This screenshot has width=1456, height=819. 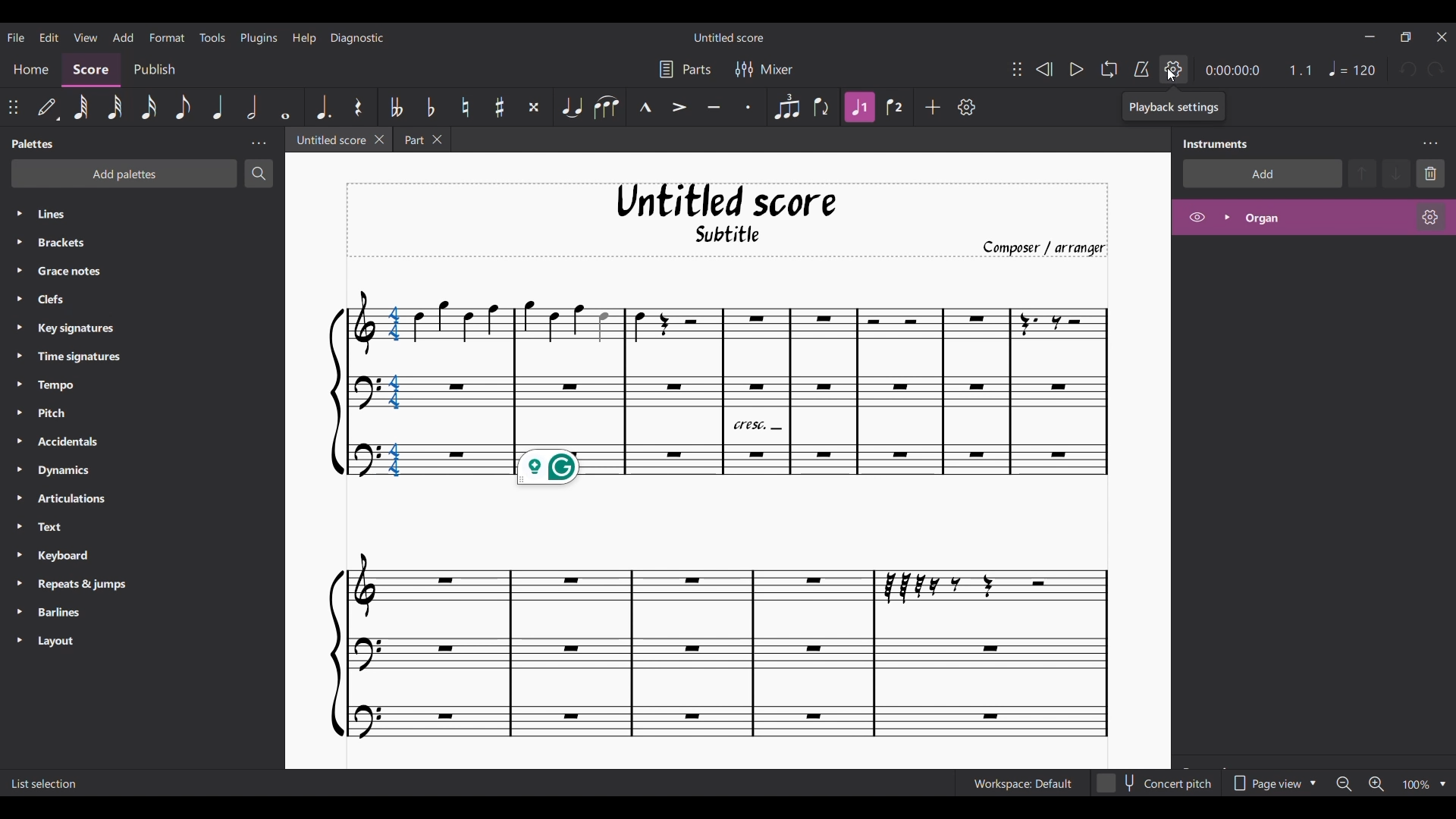 What do you see at coordinates (1362, 174) in the screenshot?
I see `Move selection up` at bounding box center [1362, 174].